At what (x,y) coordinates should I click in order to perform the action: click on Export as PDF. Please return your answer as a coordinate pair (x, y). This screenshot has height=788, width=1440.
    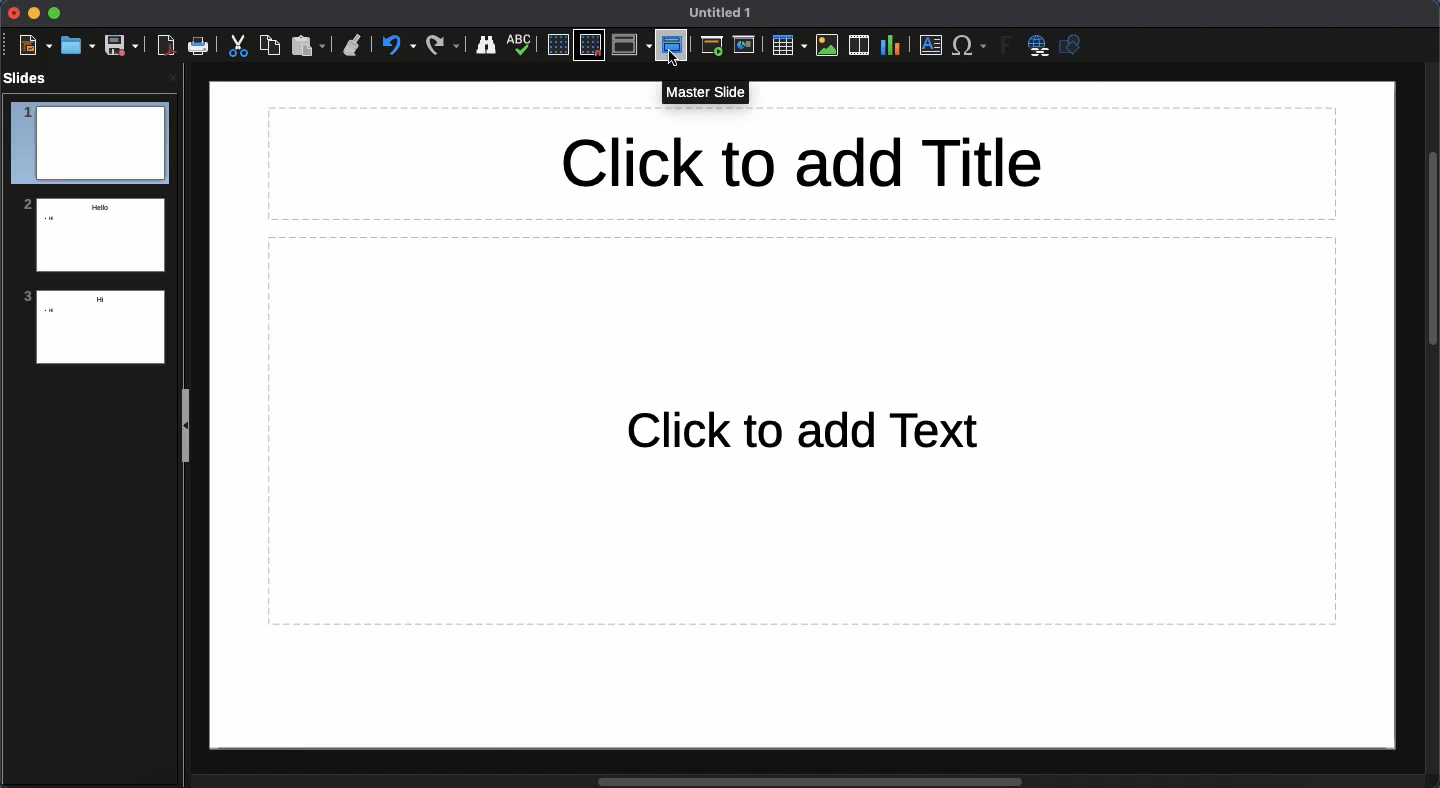
    Looking at the image, I should click on (166, 47).